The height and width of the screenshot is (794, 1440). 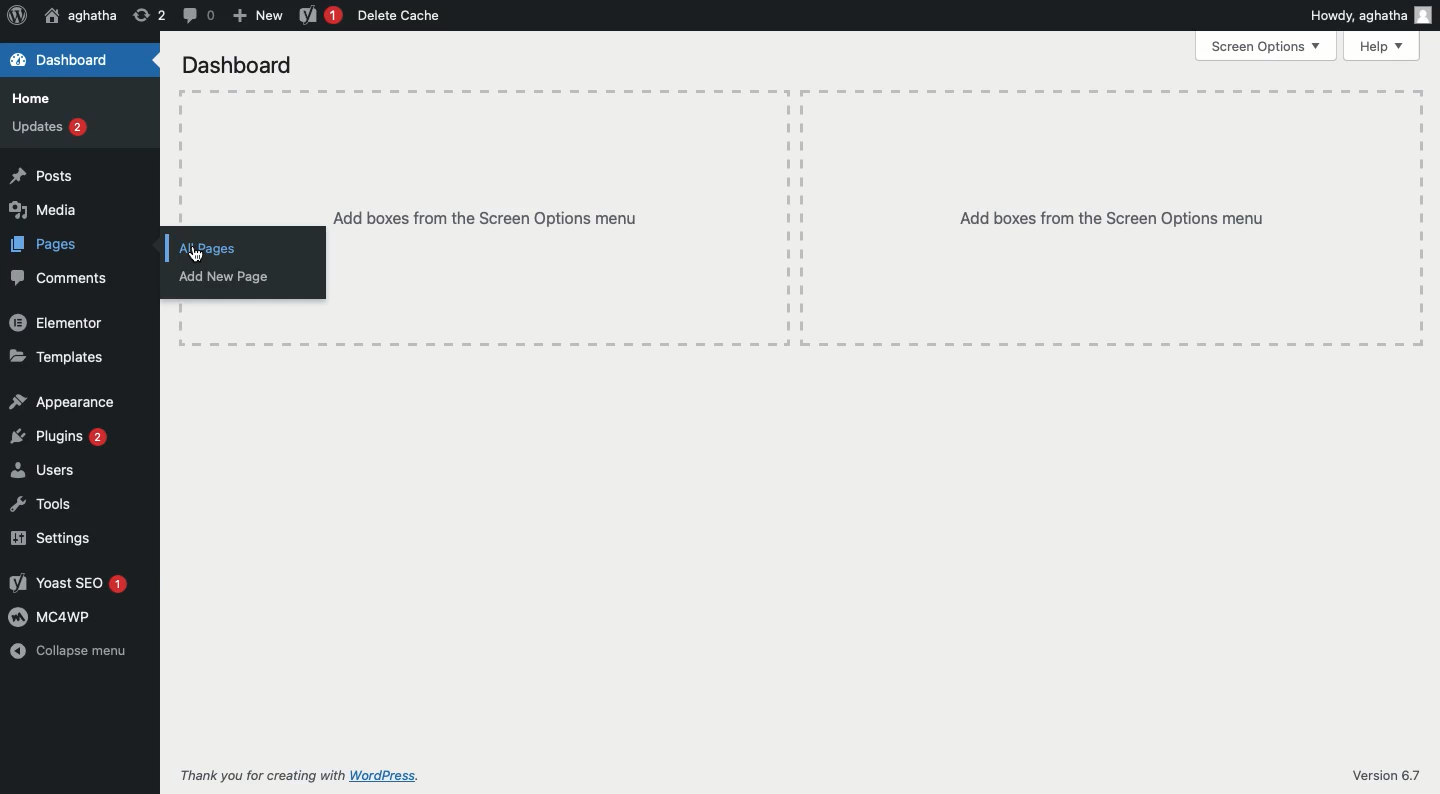 What do you see at coordinates (65, 537) in the screenshot?
I see `Settings` at bounding box center [65, 537].